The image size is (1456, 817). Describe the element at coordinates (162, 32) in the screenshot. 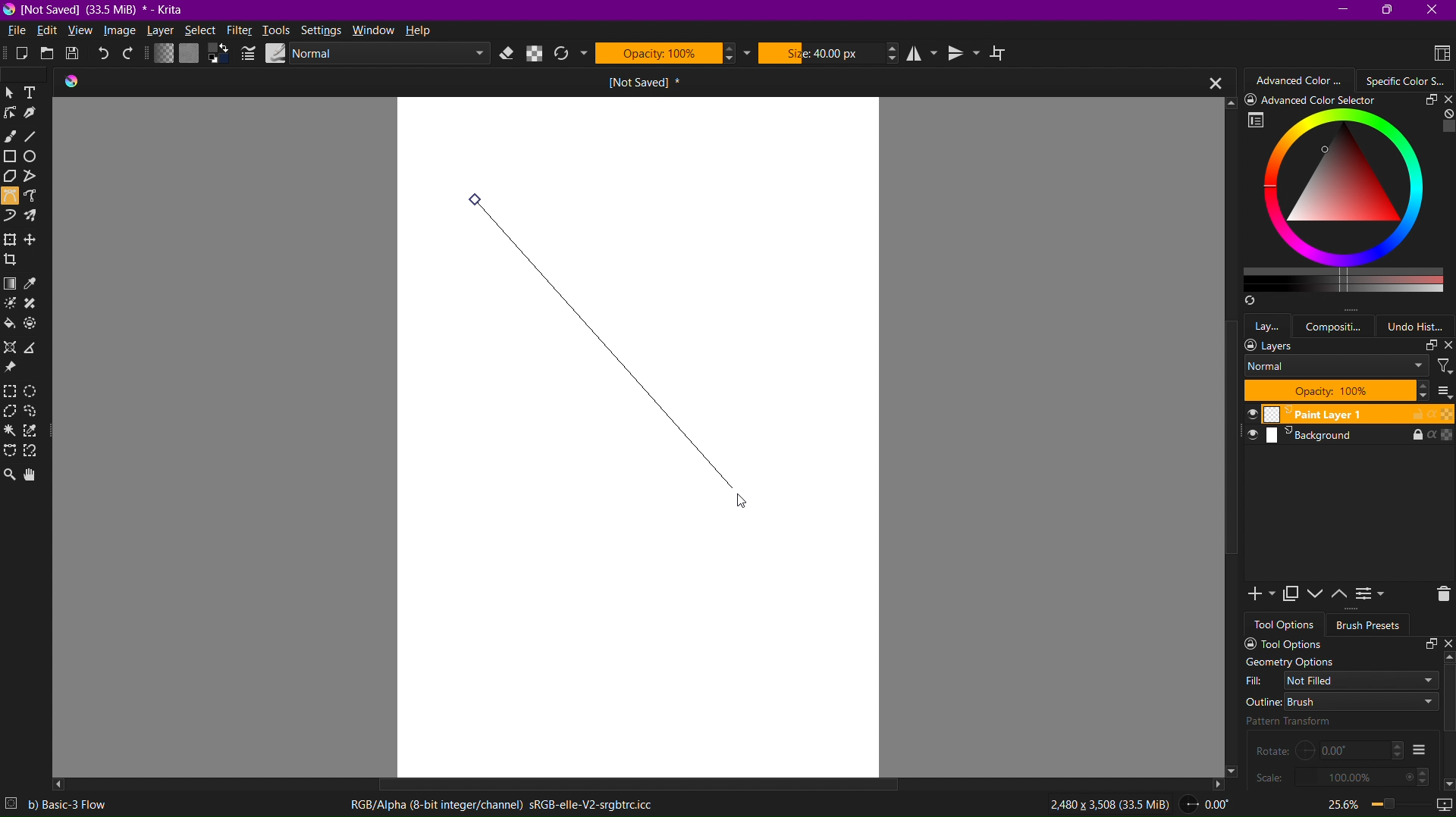

I see `Layer` at that location.